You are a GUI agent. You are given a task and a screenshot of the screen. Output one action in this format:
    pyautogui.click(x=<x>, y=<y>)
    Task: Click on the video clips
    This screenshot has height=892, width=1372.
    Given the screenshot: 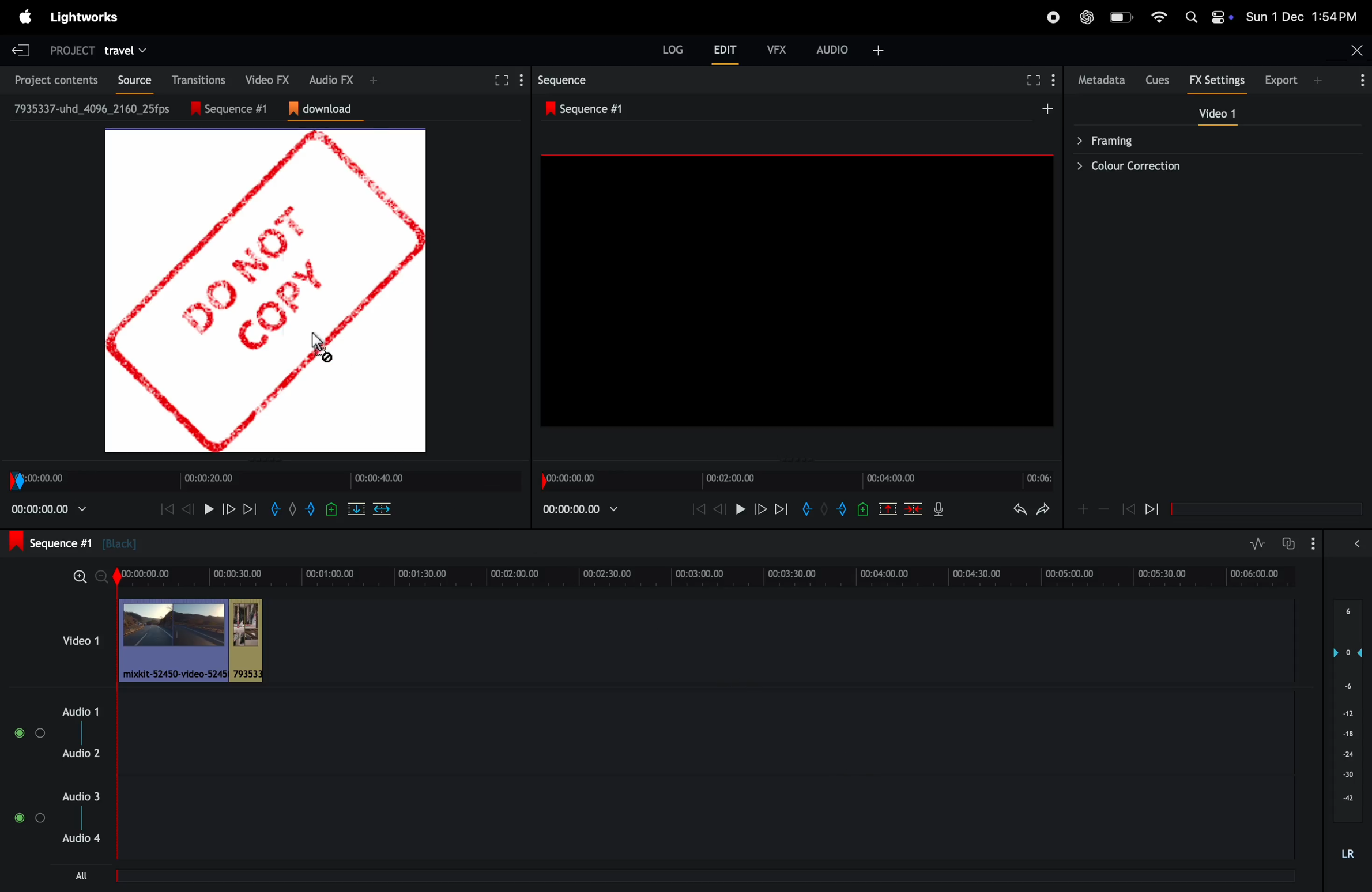 What is the action you would take?
    pyautogui.click(x=194, y=640)
    